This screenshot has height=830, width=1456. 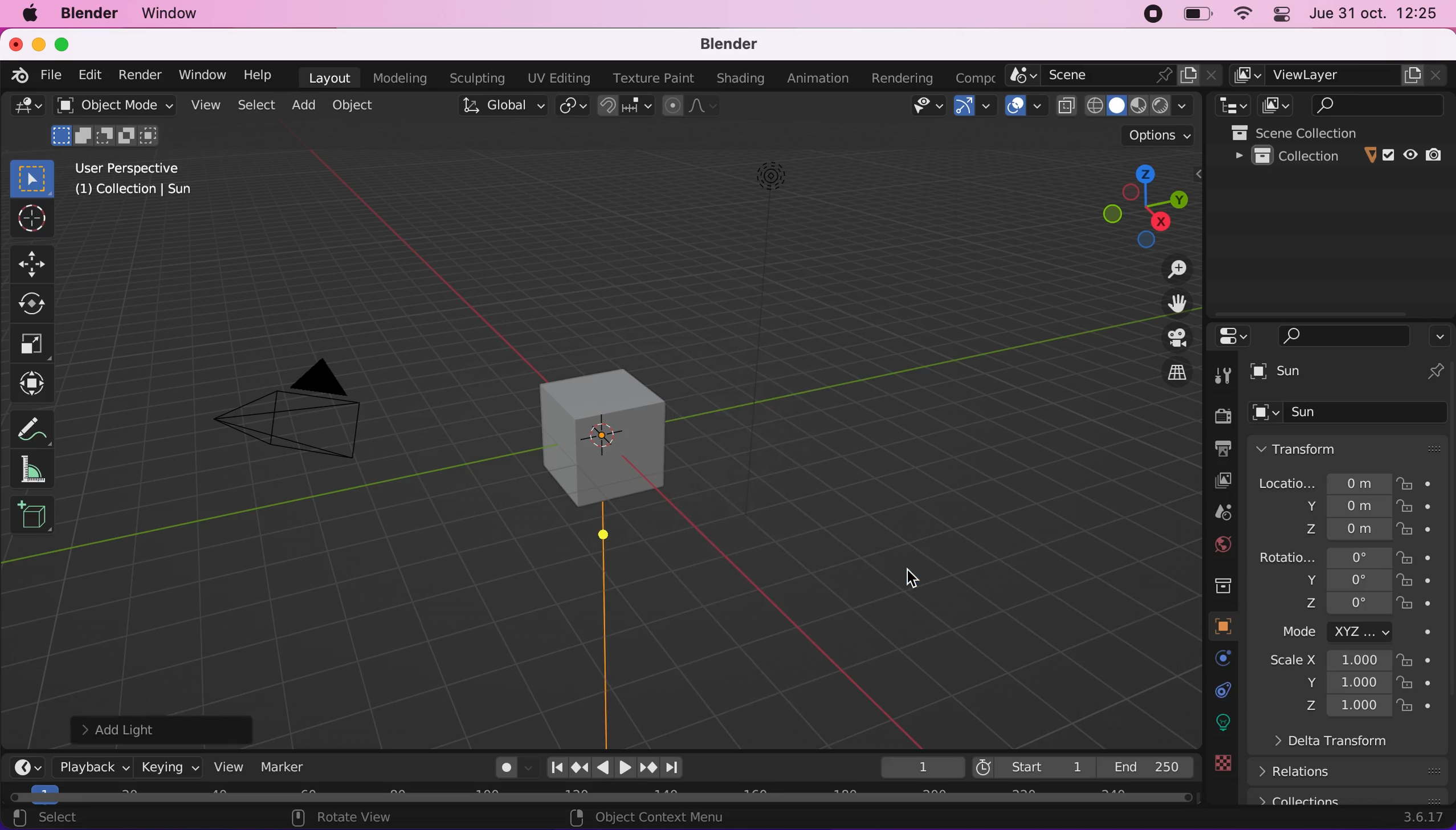 What do you see at coordinates (676, 768) in the screenshot?
I see `Jump to endpoint` at bounding box center [676, 768].